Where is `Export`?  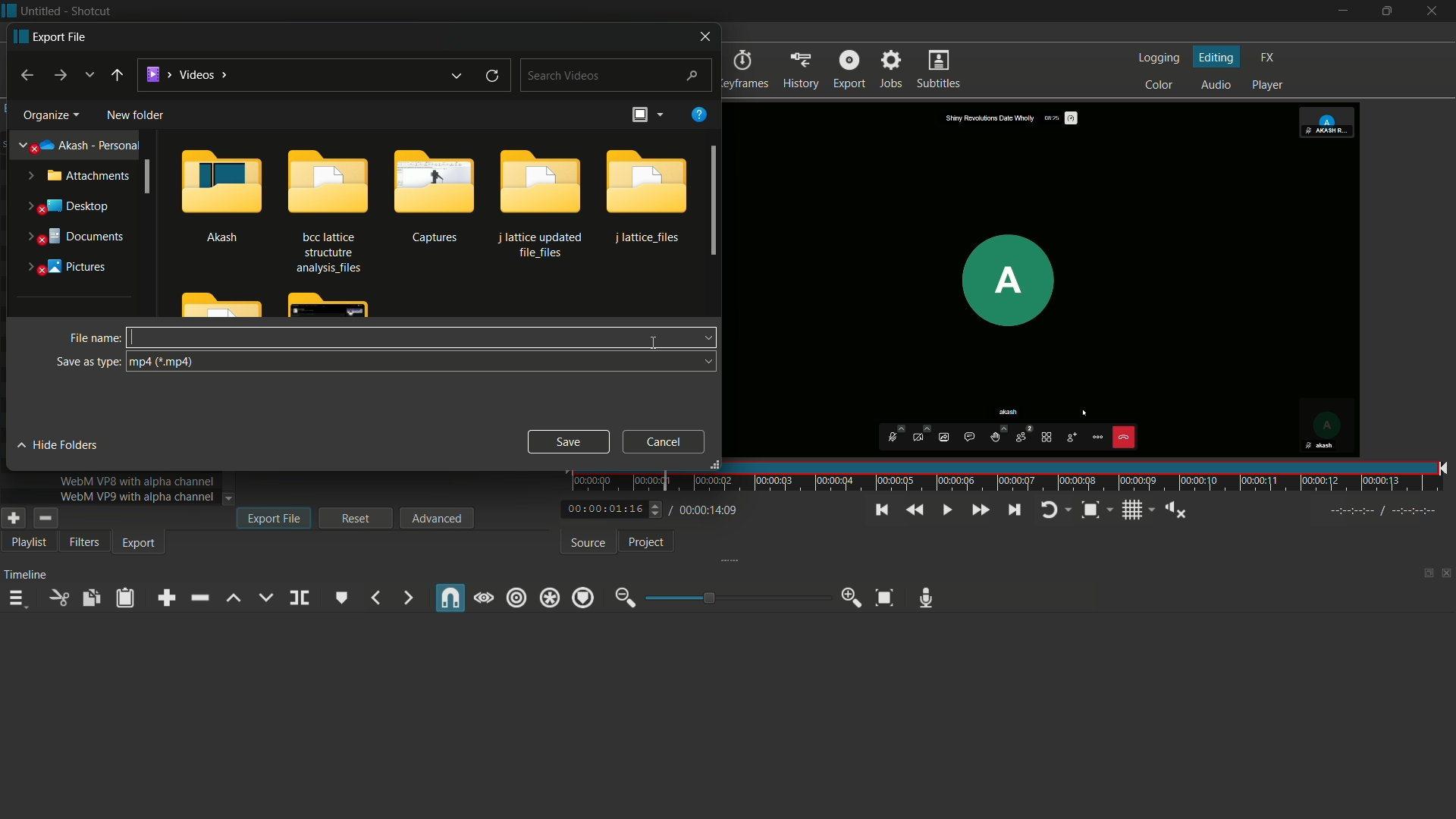 Export is located at coordinates (141, 543).